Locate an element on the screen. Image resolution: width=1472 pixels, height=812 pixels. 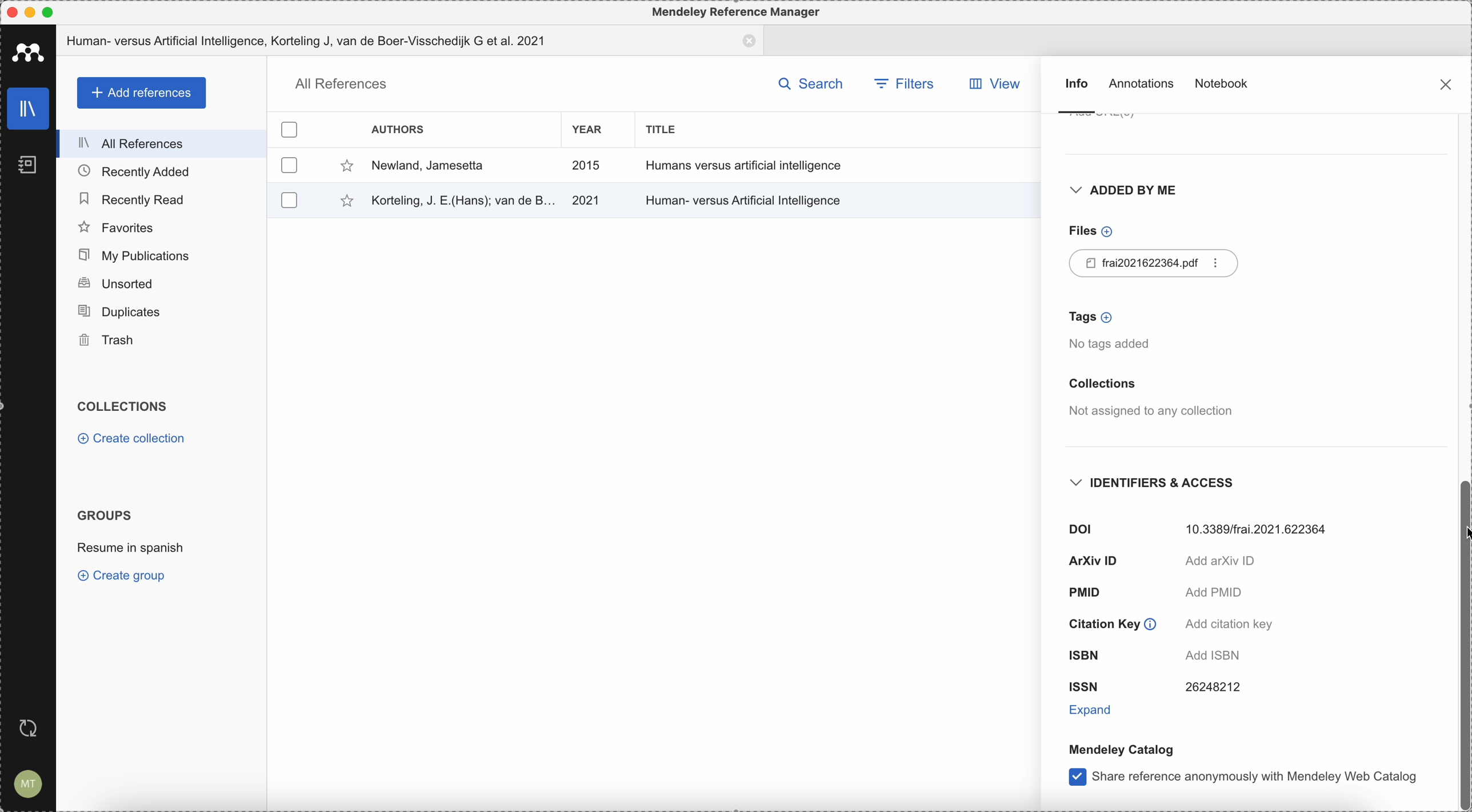
tags no tags added is located at coordinates (1114, 331).